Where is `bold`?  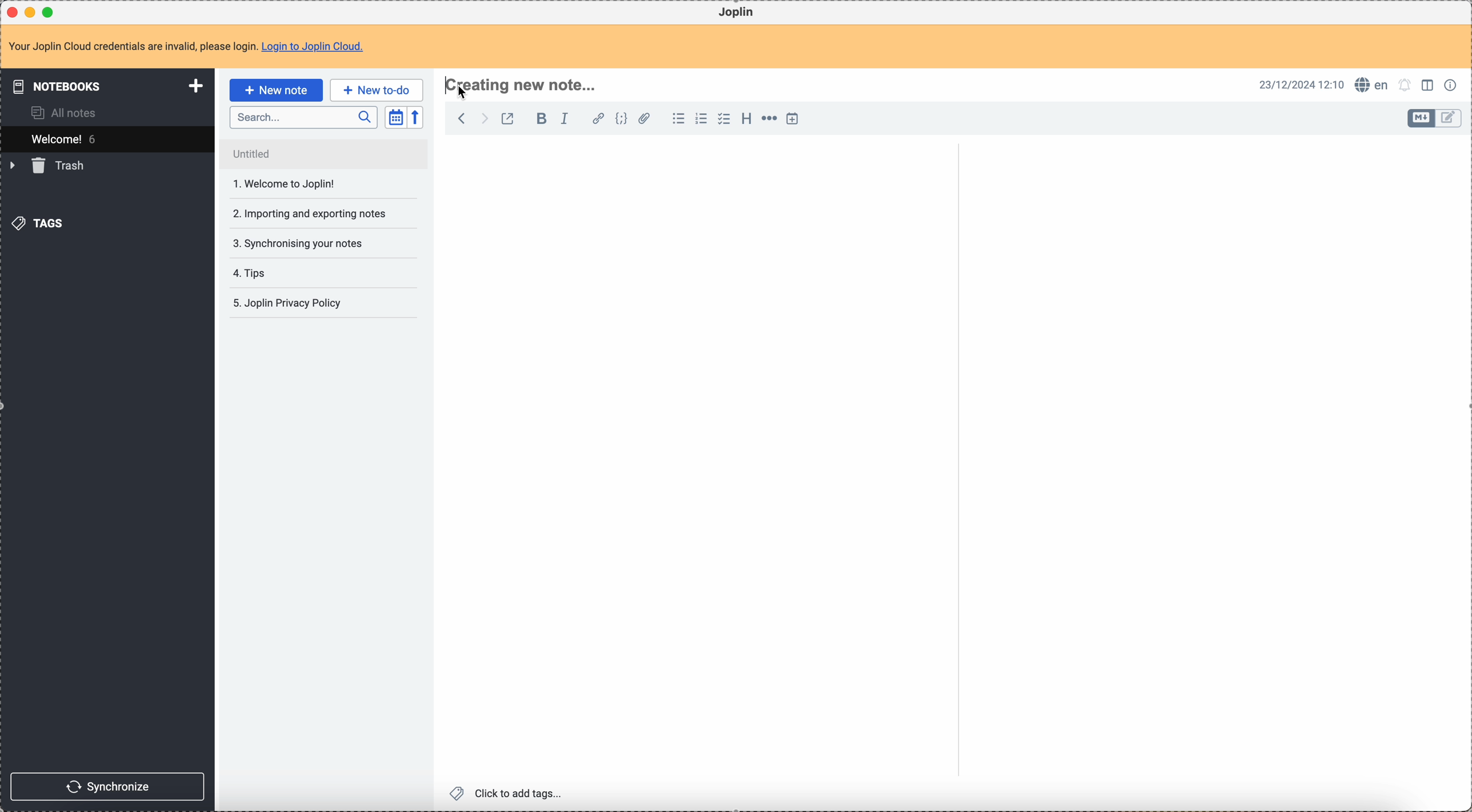 bold is located at coordinates (538, 119).